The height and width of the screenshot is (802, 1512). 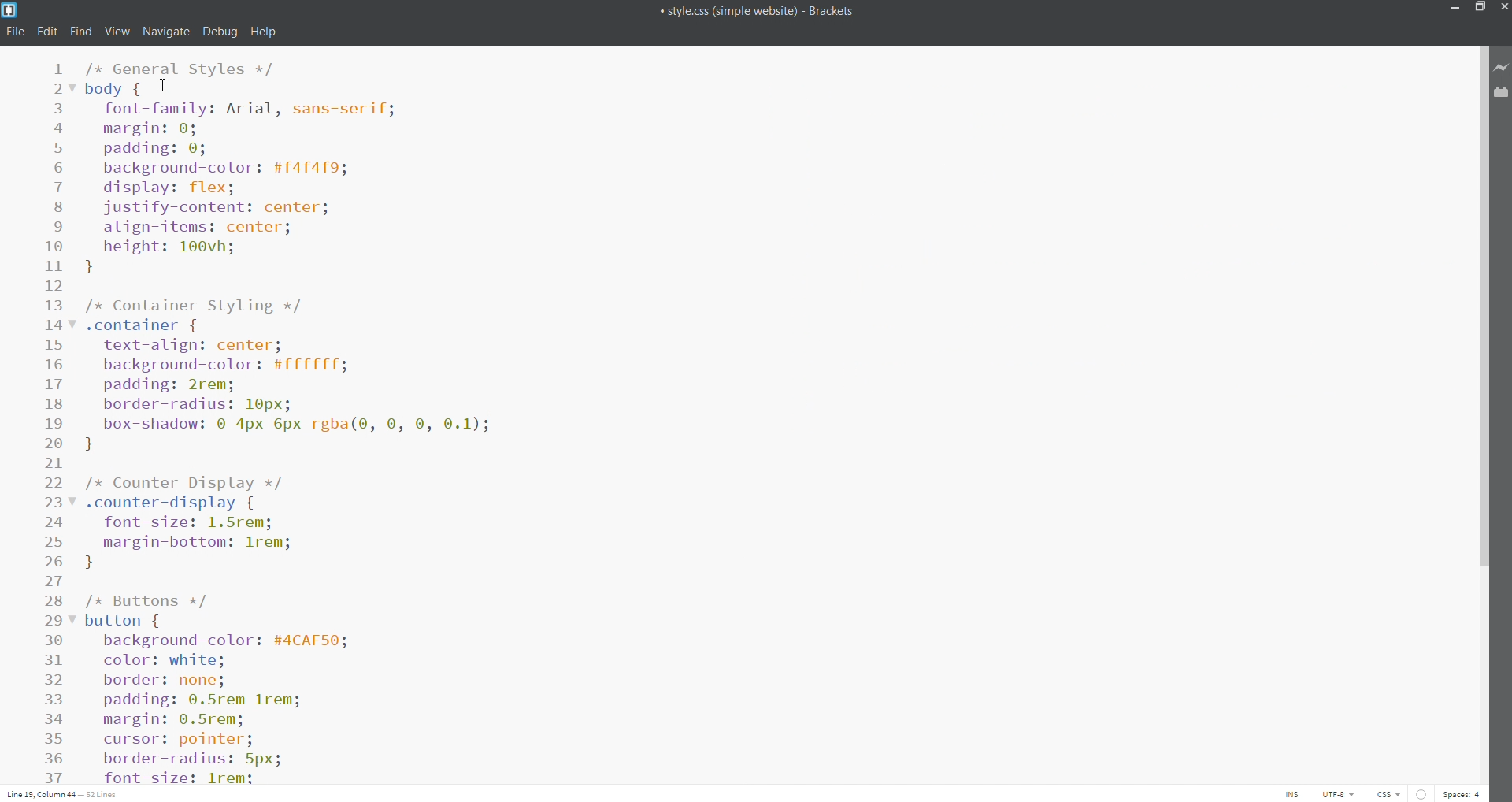 What do you see at coordinates (17, 32) in the screenshot?
I see `file` at bounding box center [17, 32].